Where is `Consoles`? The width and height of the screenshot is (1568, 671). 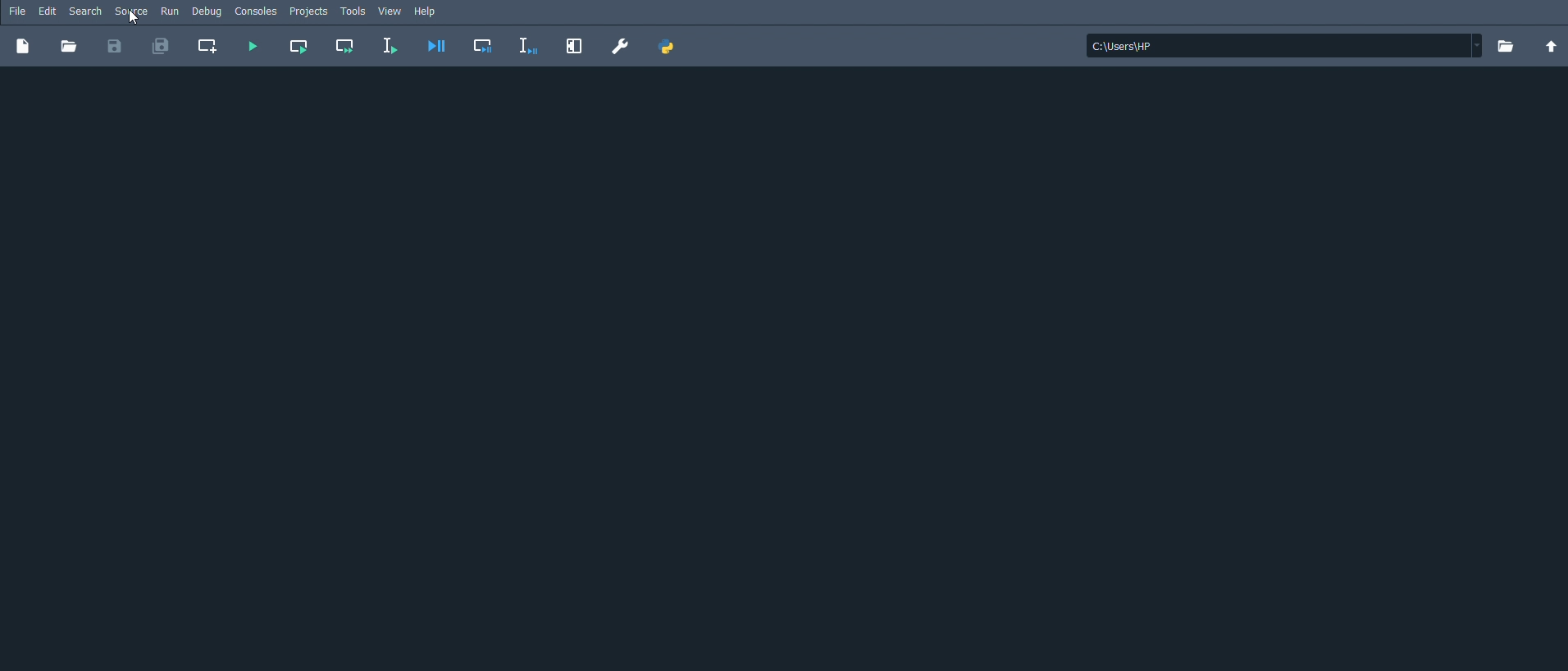 Consoles is located at coordinates (257, 11).